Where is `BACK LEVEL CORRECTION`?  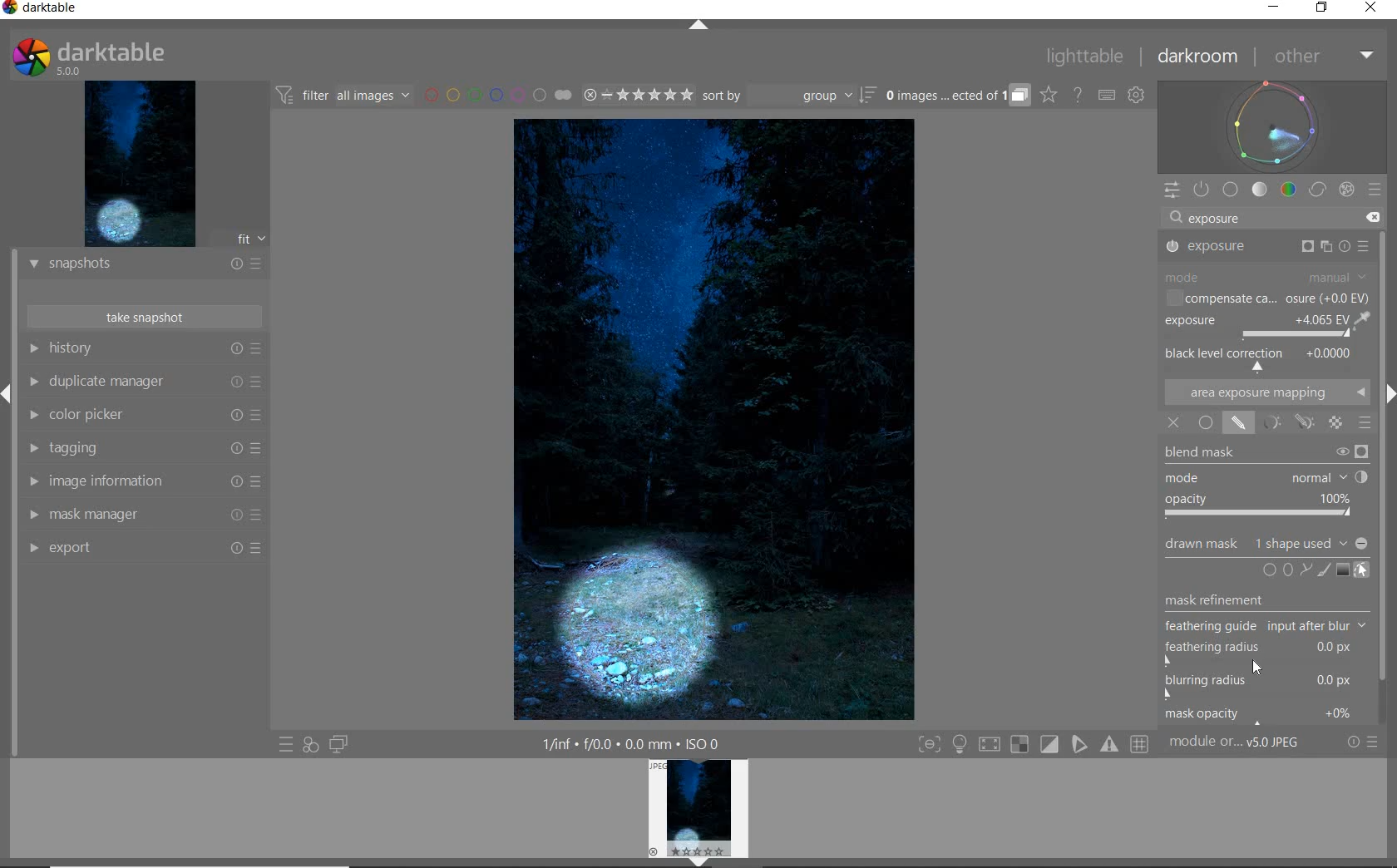 BACK LEVEL CORRECTION is located at coordinates (1261, 358).